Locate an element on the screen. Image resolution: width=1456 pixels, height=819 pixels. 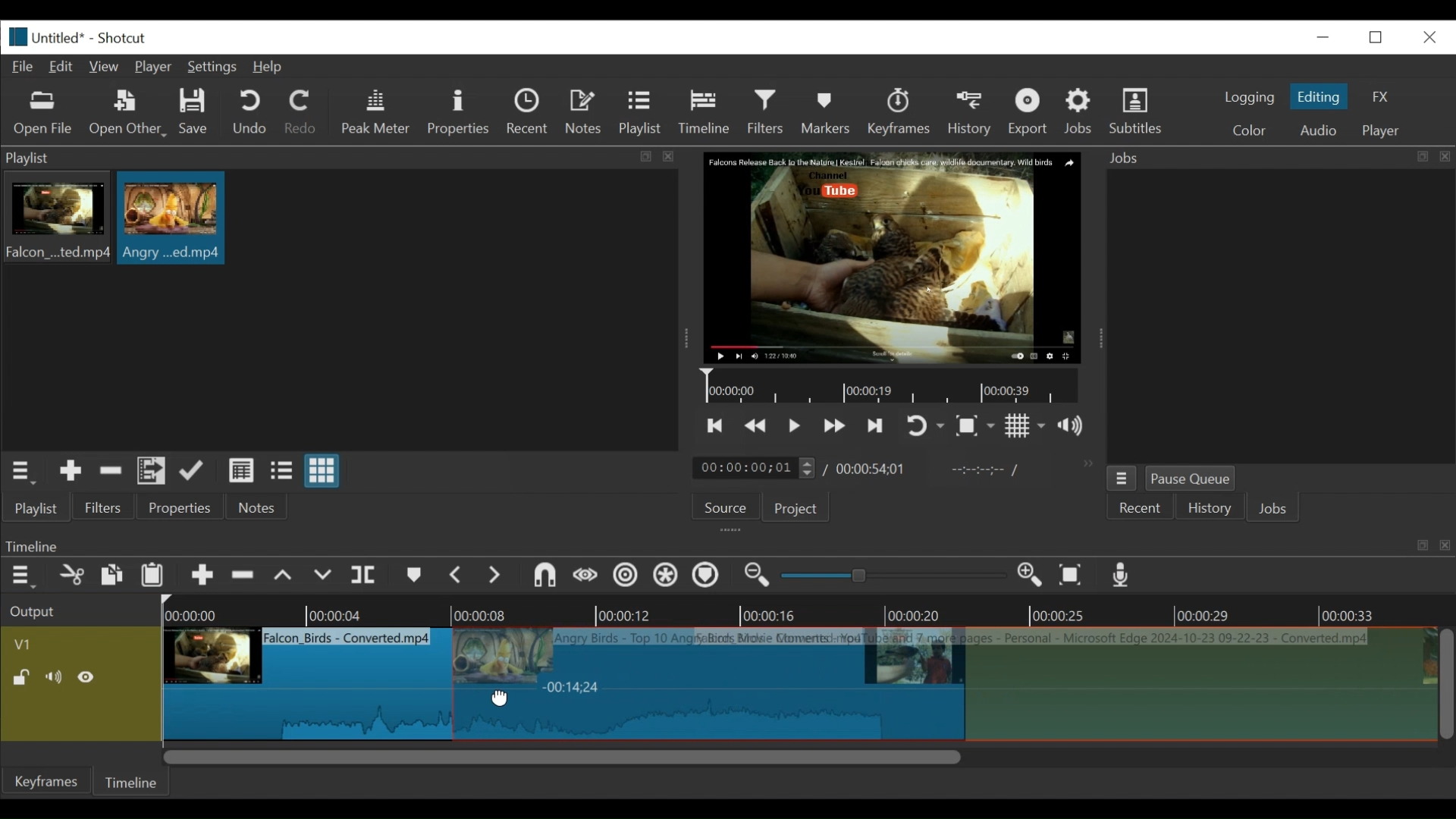
Editing is located at coordinates (1321, 96).